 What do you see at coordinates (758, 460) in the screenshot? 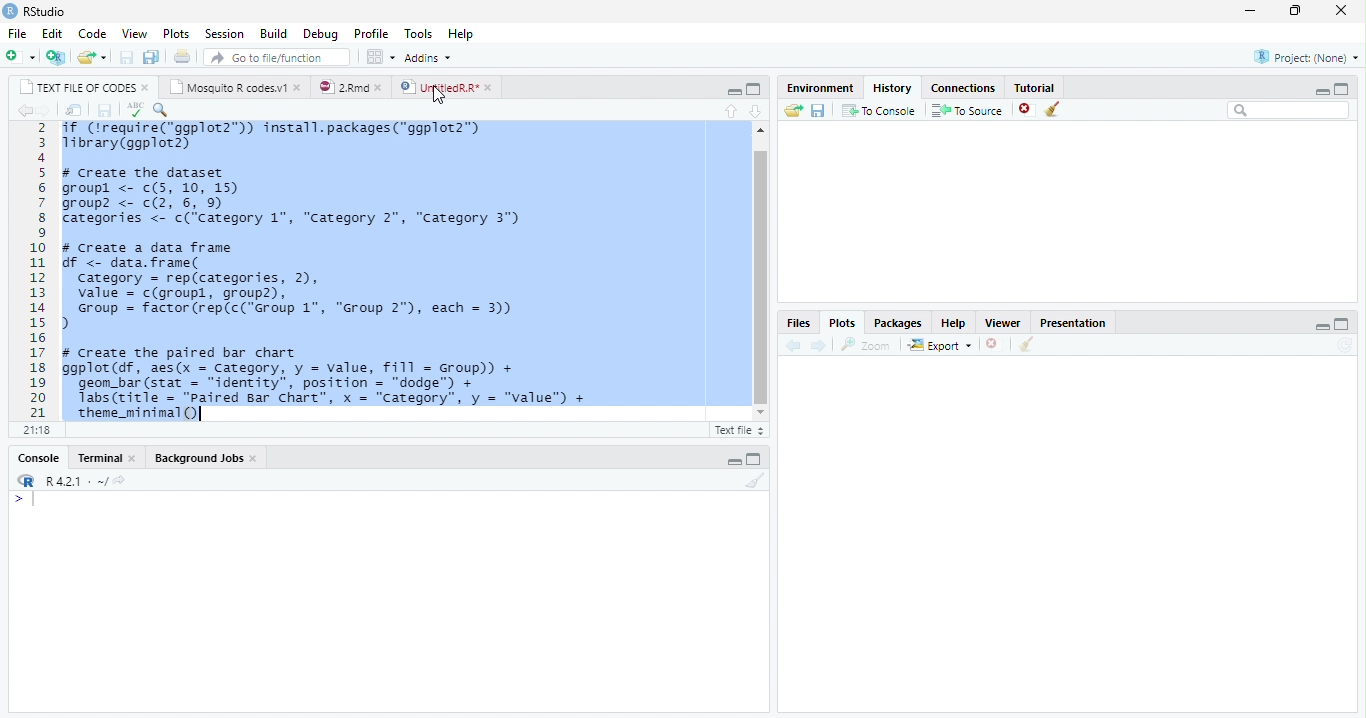
I see `maximize` at bounding box center [758, 460].